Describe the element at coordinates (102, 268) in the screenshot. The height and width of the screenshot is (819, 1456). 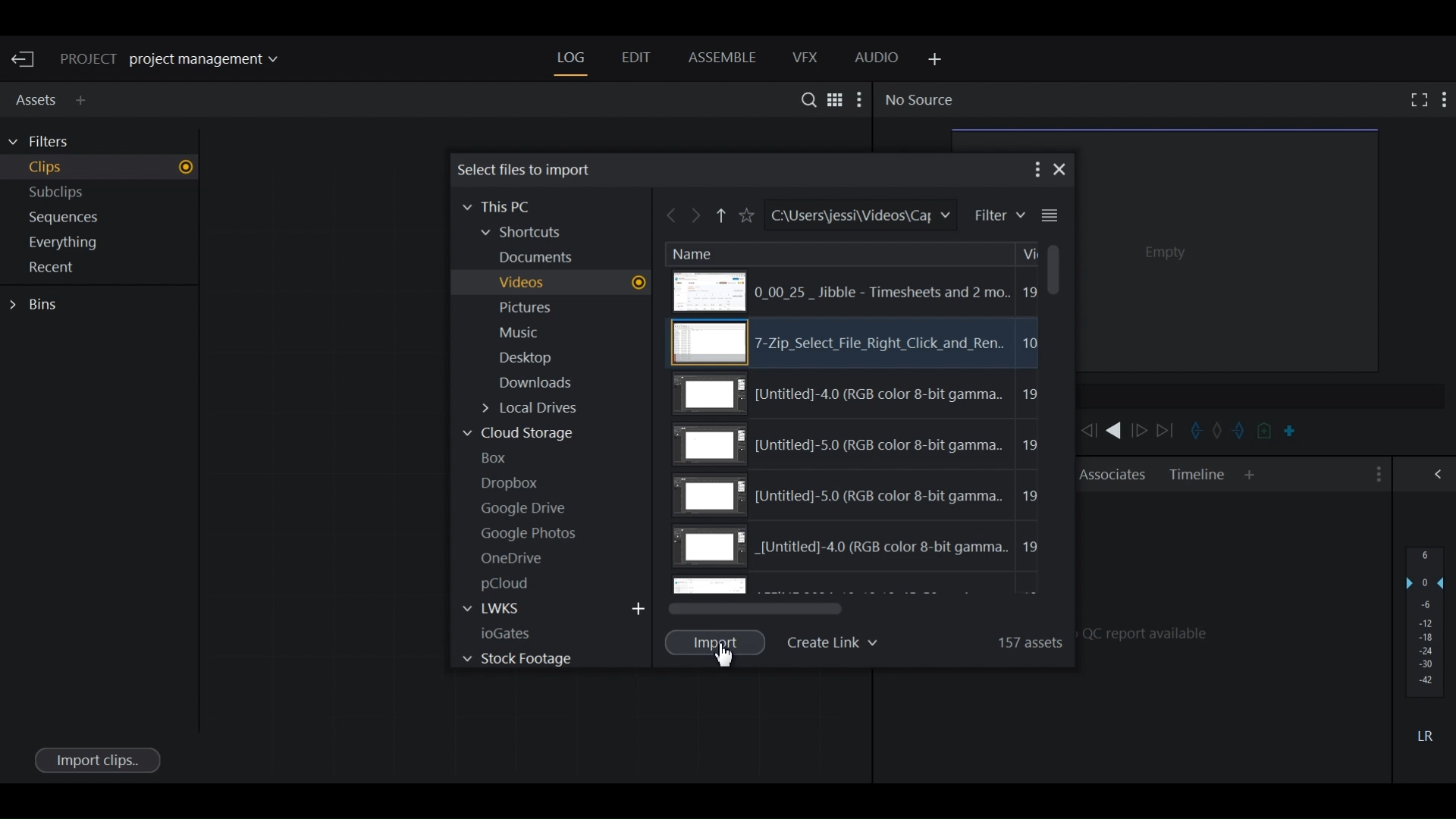
I see `Show Recent in current project` at that location.